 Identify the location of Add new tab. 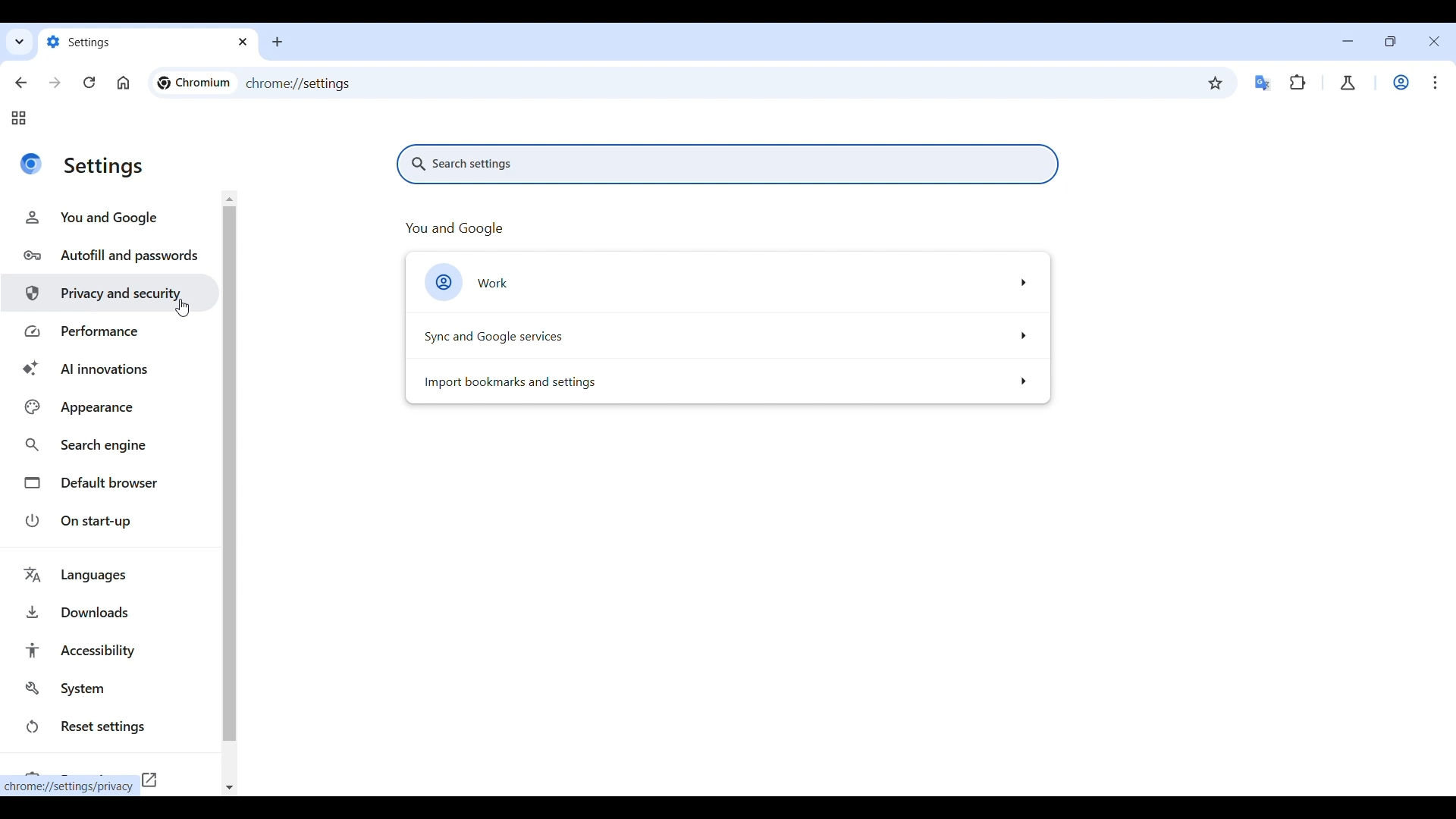
(277, 42).